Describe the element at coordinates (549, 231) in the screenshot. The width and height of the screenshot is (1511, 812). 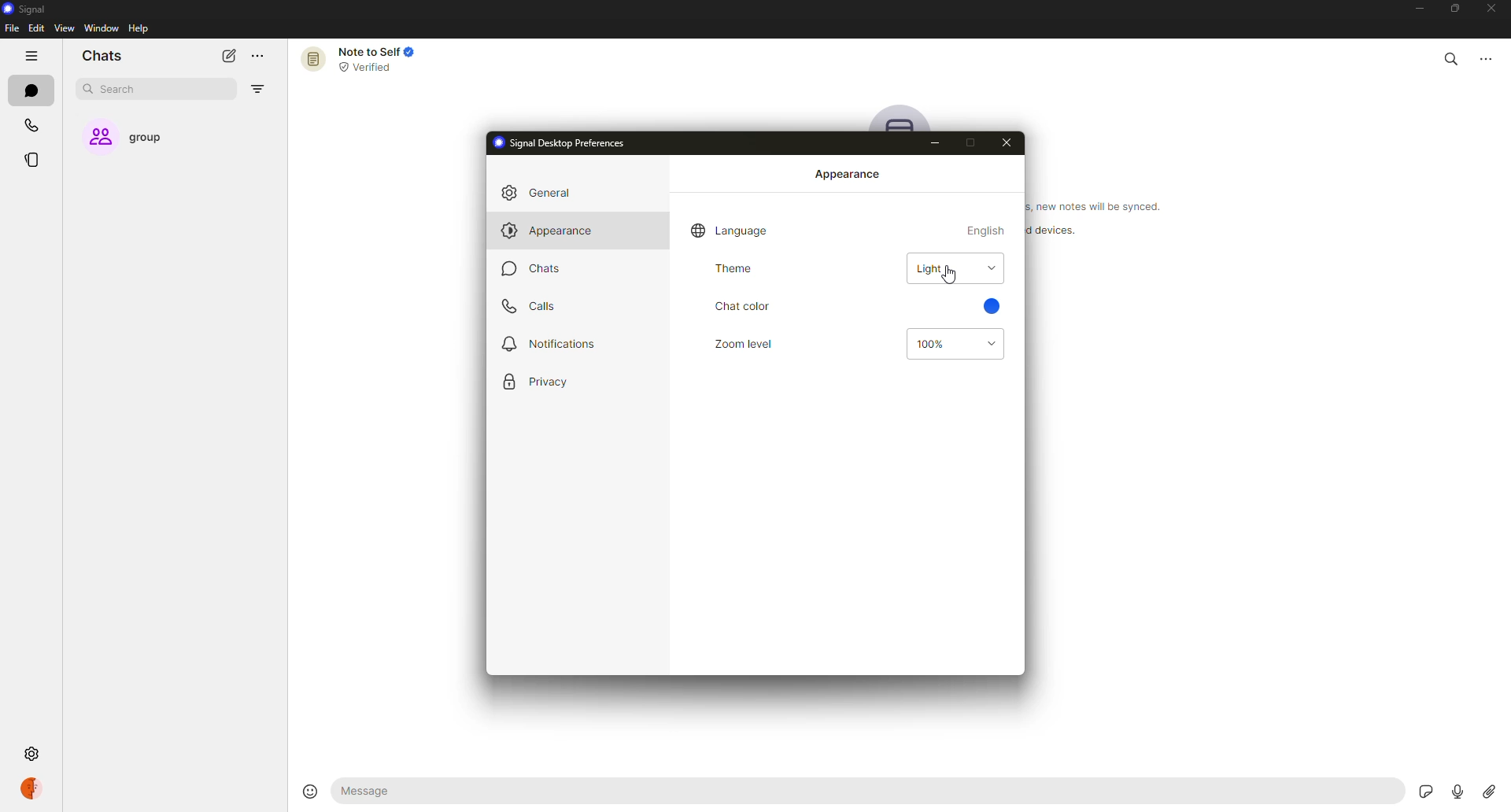
I see `appearance` at that location.